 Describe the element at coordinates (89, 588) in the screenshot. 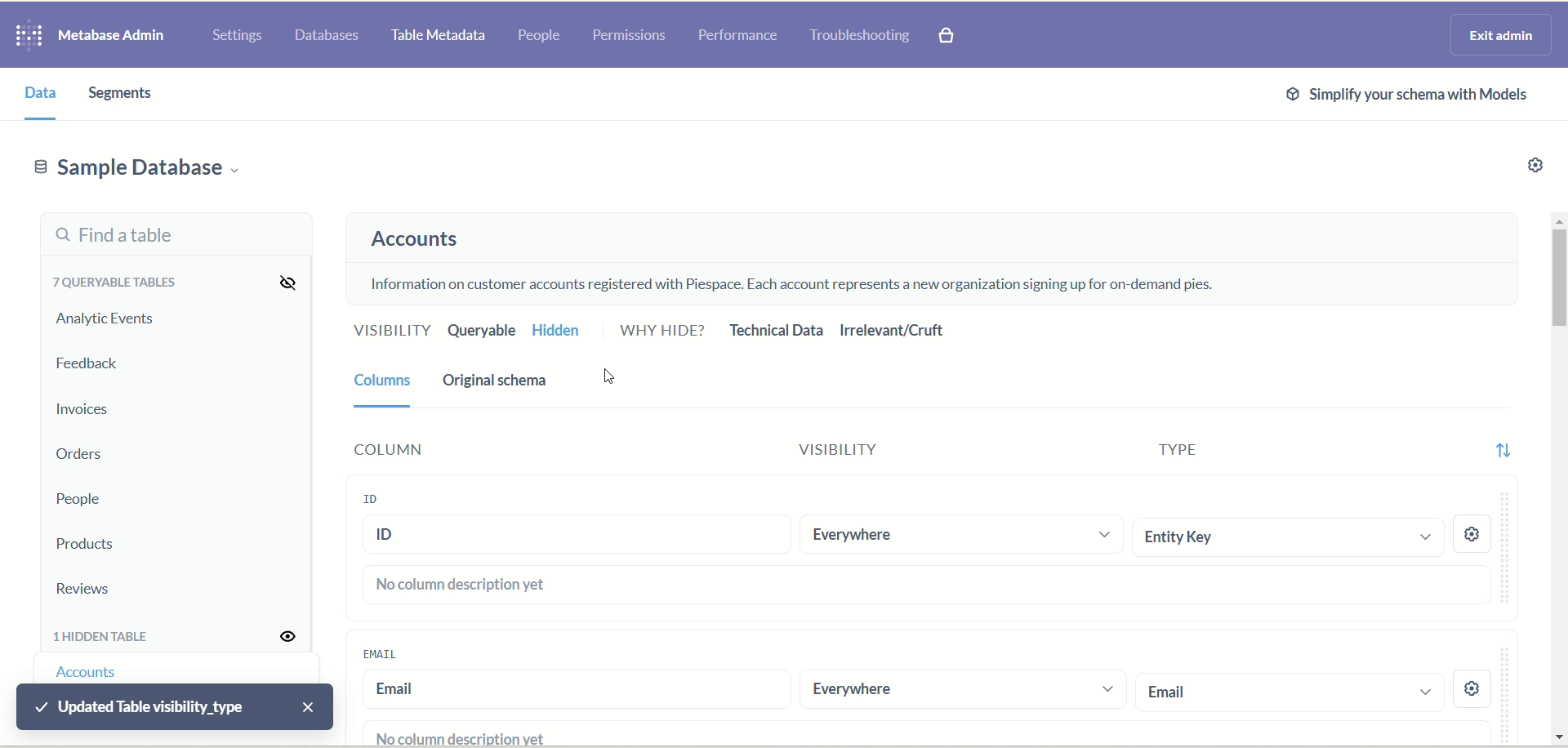

I see `reviews` at that location.